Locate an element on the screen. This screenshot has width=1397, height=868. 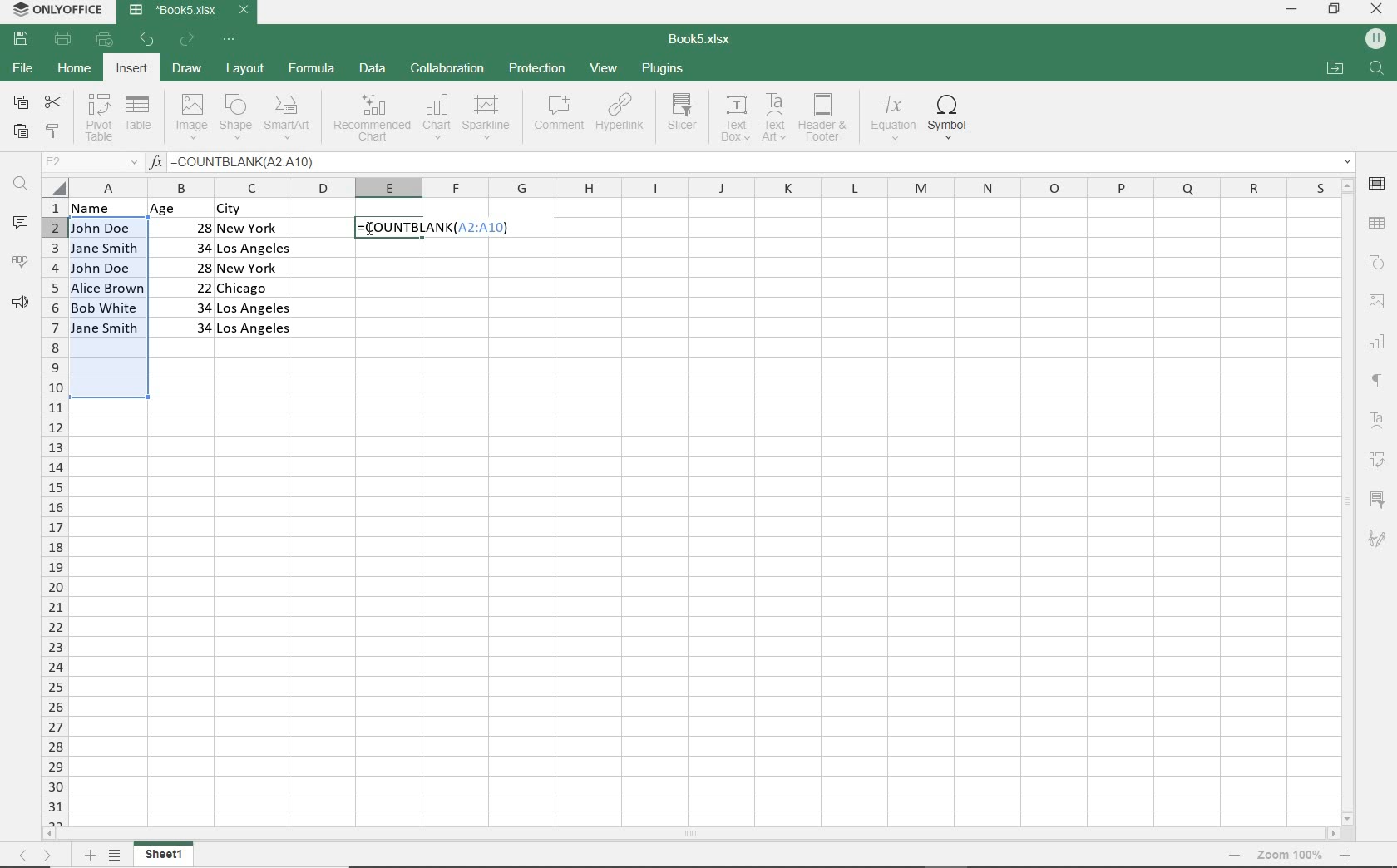
PARAGRAPH SETTINGS is located at coordinates (1376, 377).